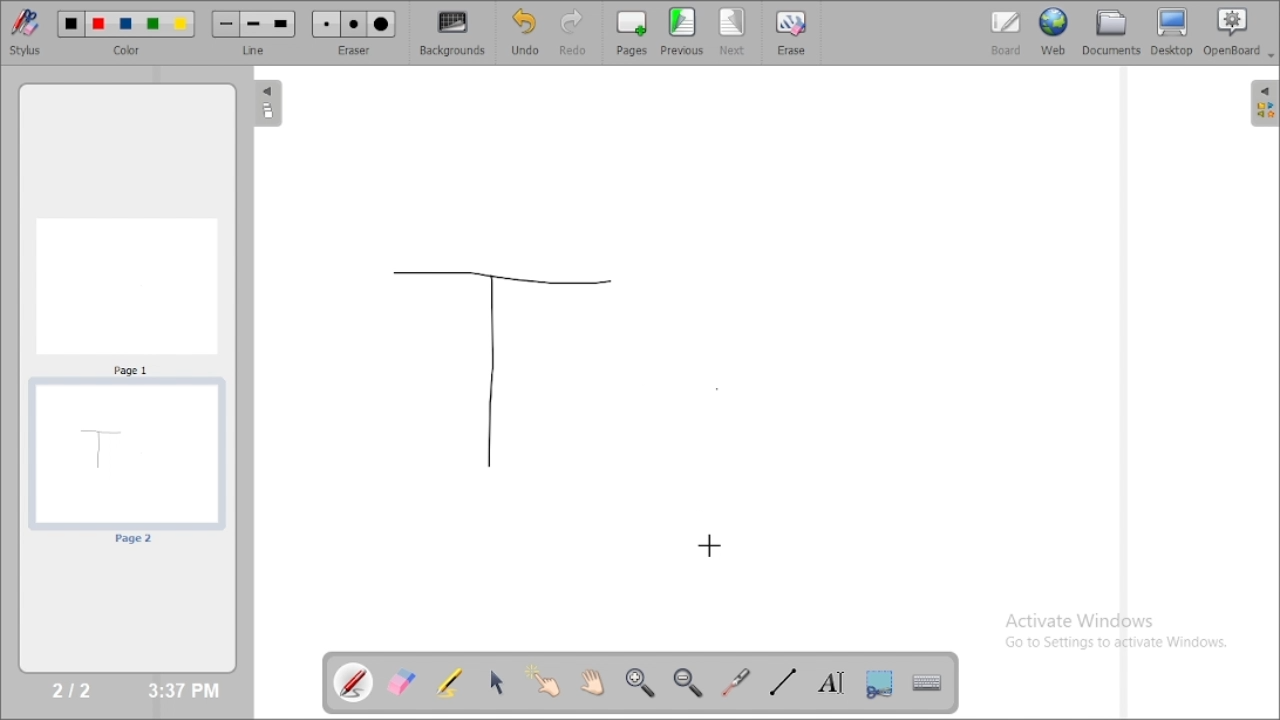  I want to click on Color 3, so click(126, 25).